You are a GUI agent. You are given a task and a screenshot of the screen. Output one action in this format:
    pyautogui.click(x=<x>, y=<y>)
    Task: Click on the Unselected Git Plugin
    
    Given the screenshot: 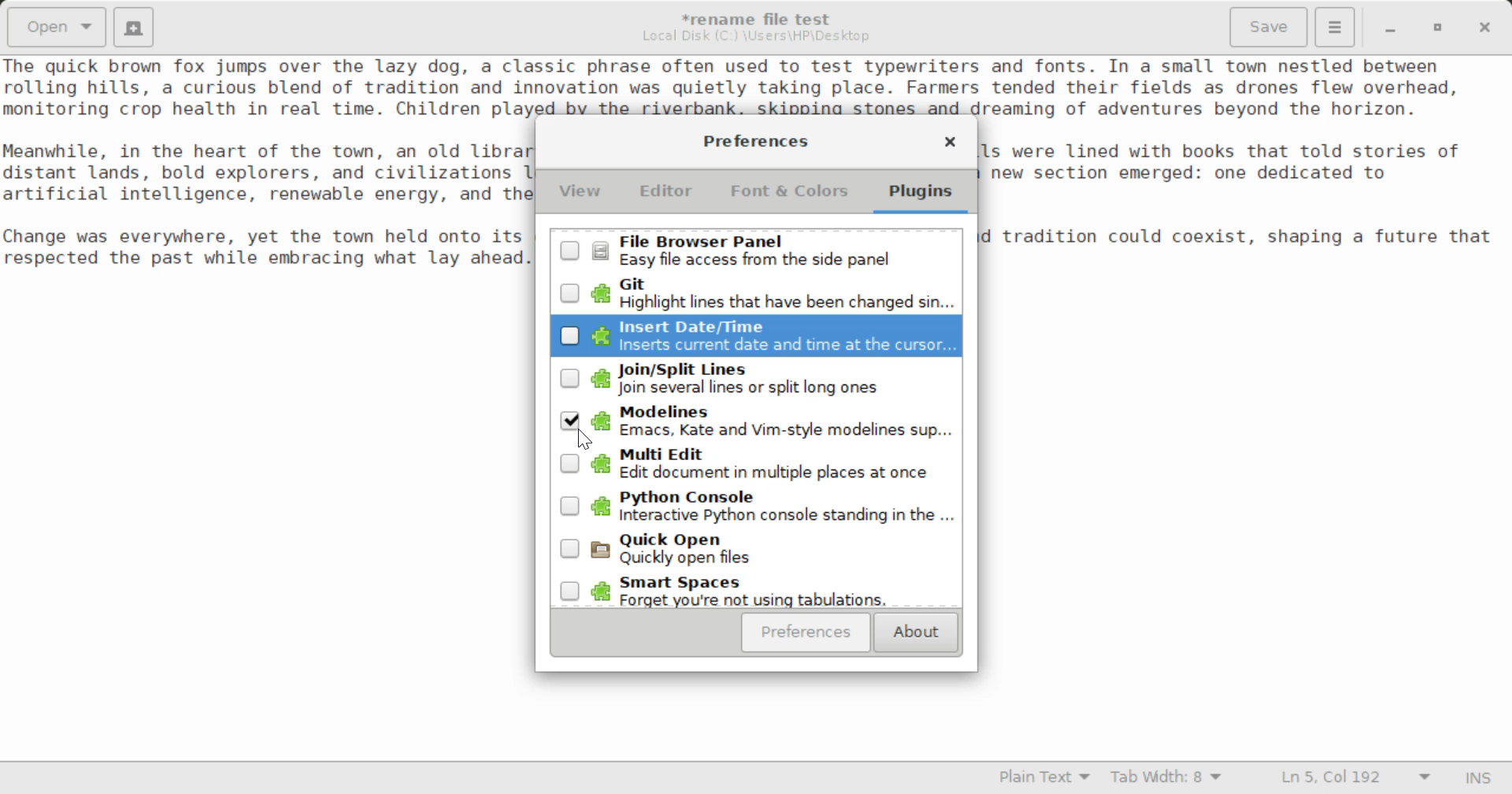 What is the action you would take?
    pyautogui.click(x=760, y=293)
    